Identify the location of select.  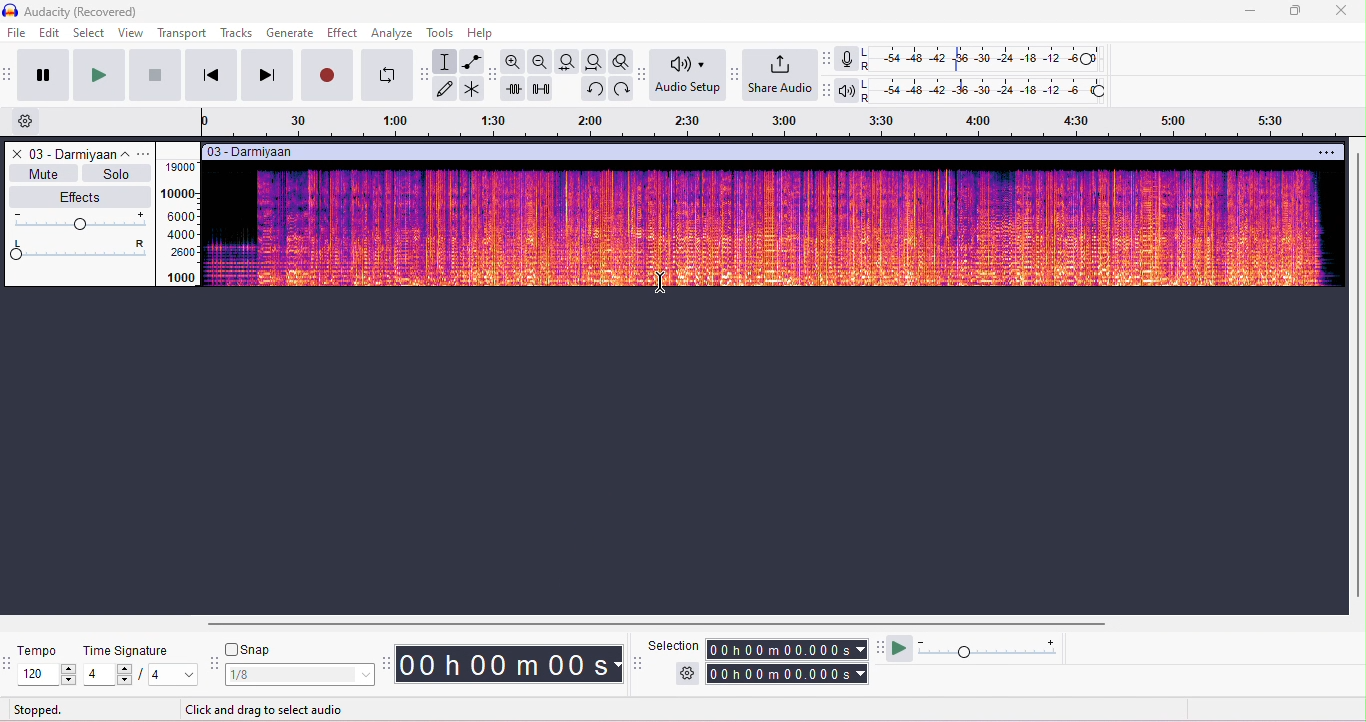
(90, 32).